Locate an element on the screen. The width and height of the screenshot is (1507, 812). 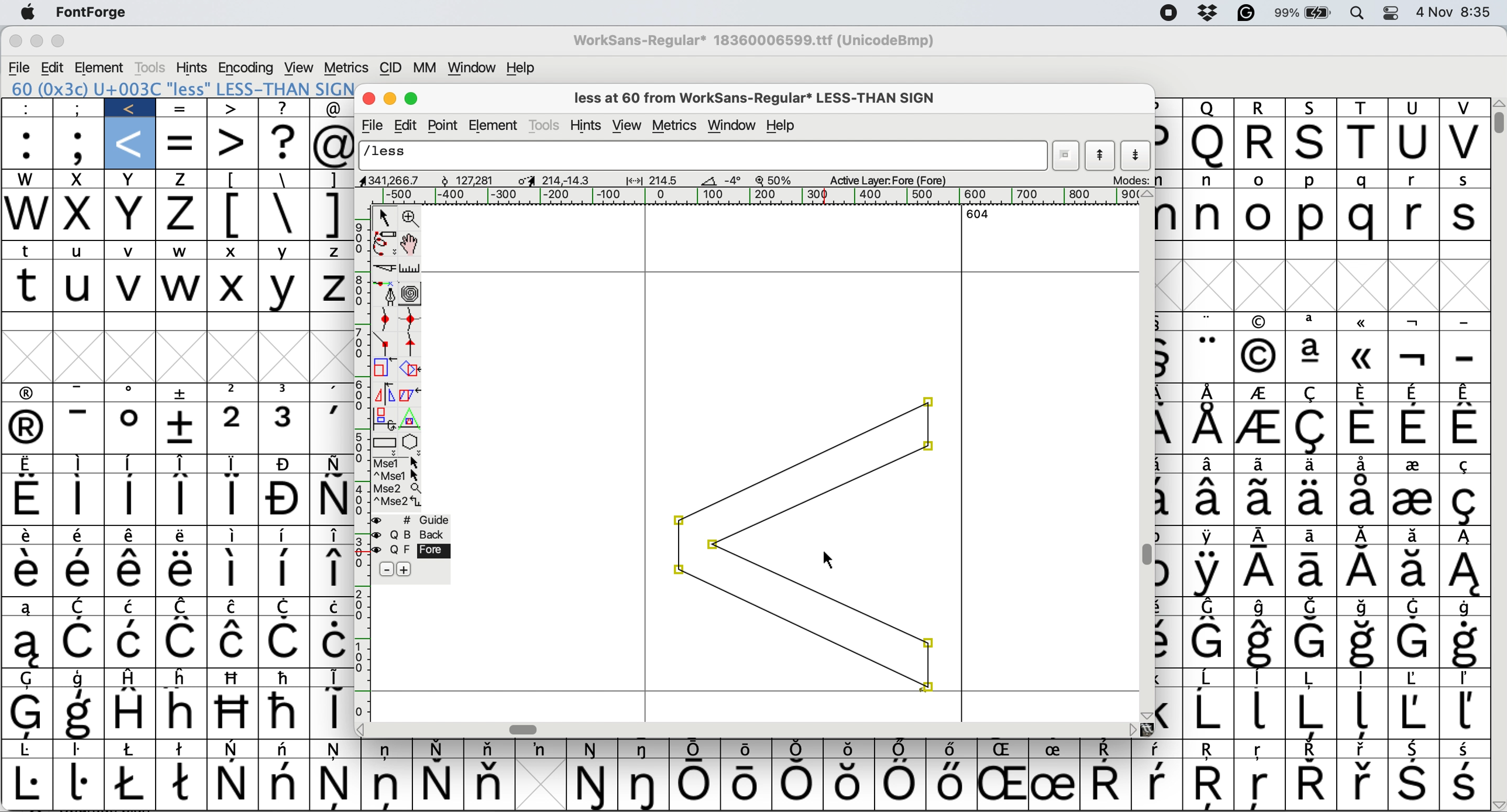
2 is located at coordinates (234, 428).